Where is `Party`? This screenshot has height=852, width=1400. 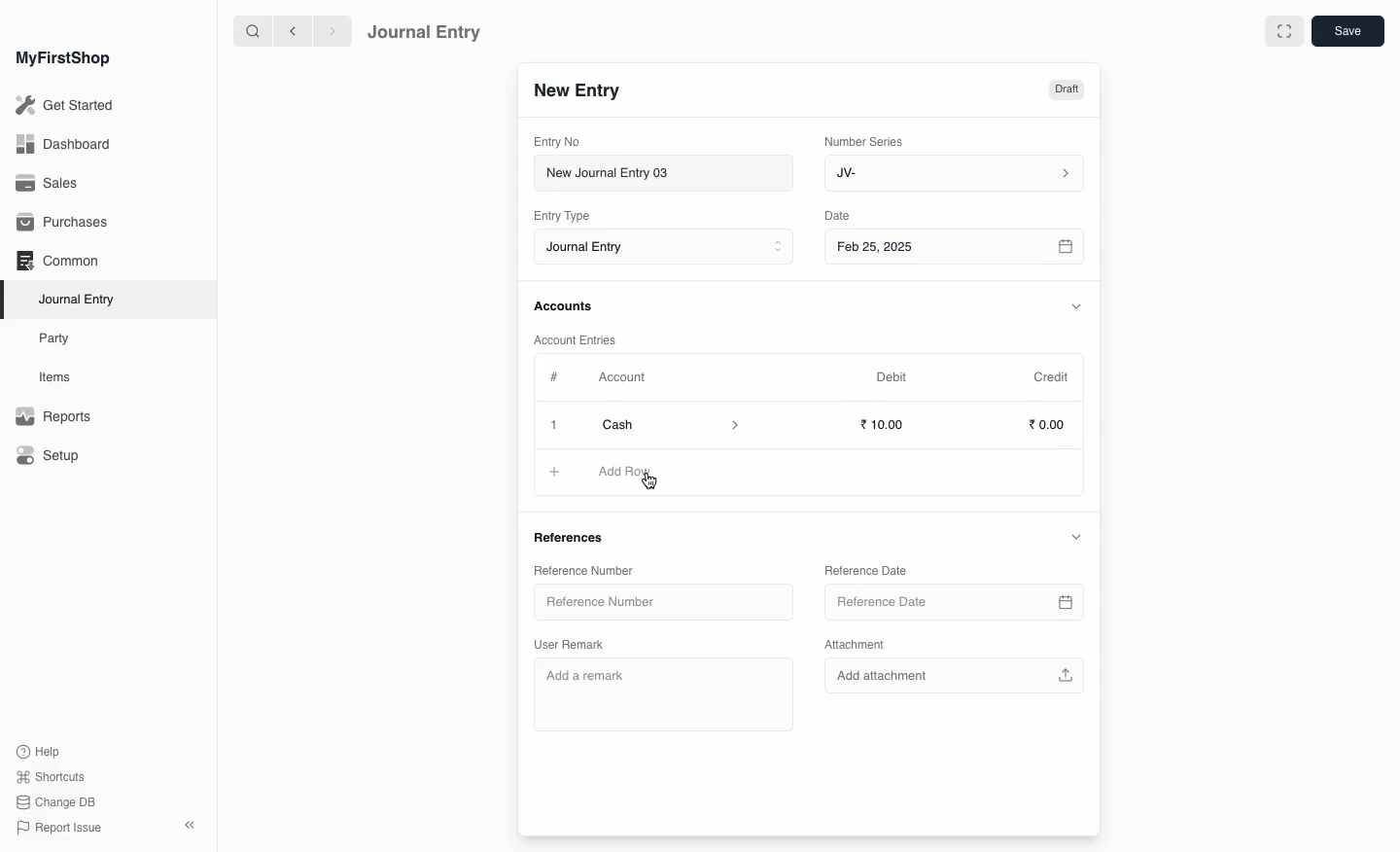
Party is located at coordinates (55, 337).